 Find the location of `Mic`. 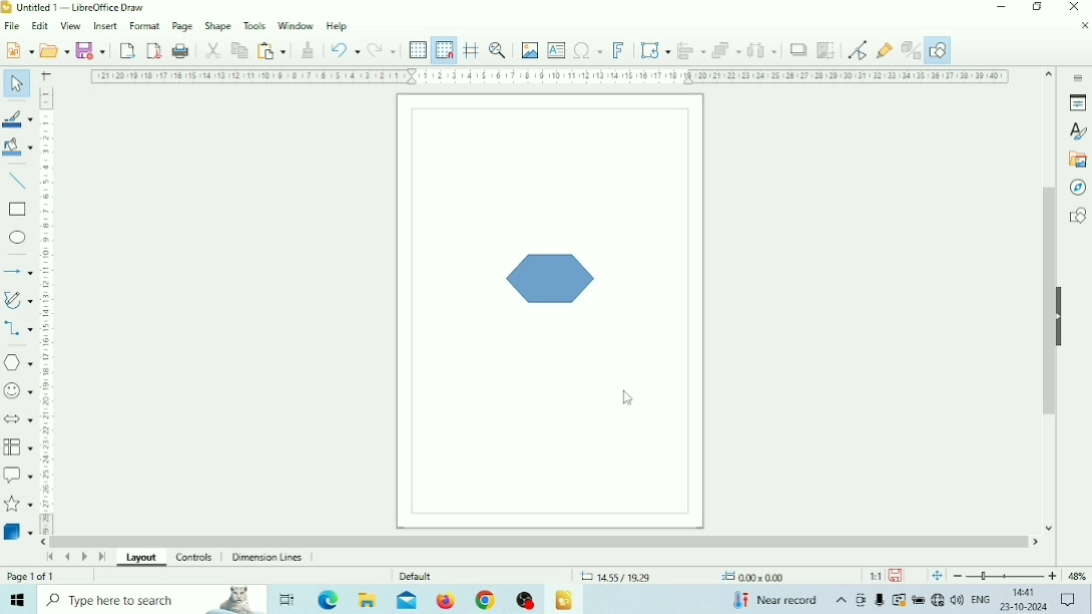

Mic is located at coordinates (880, 600).